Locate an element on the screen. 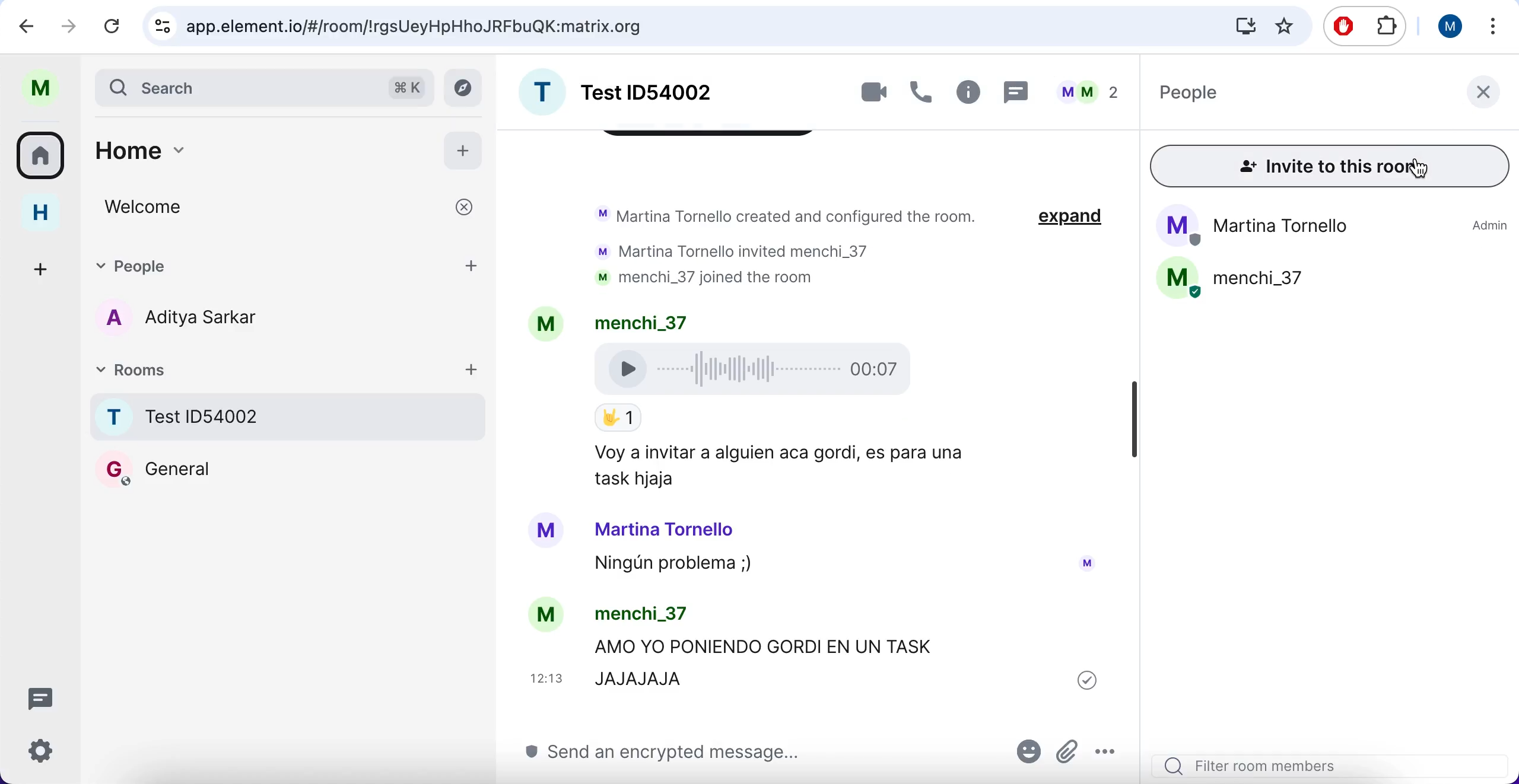 The height and width of the screenshot is (784, 1519). chat is located at coordinates (1021, 94).